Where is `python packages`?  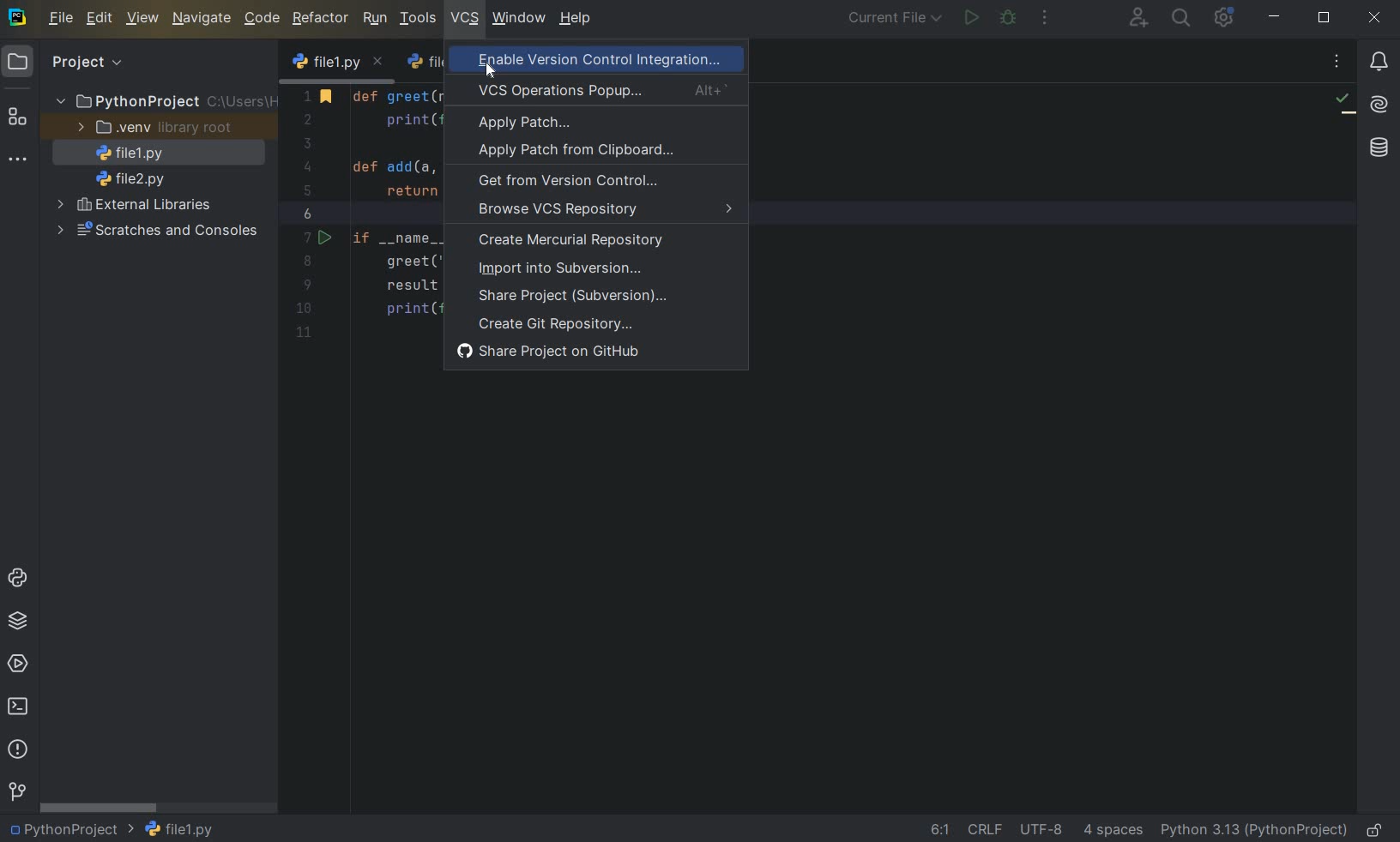
python packages is located at coordinates (18, 621).